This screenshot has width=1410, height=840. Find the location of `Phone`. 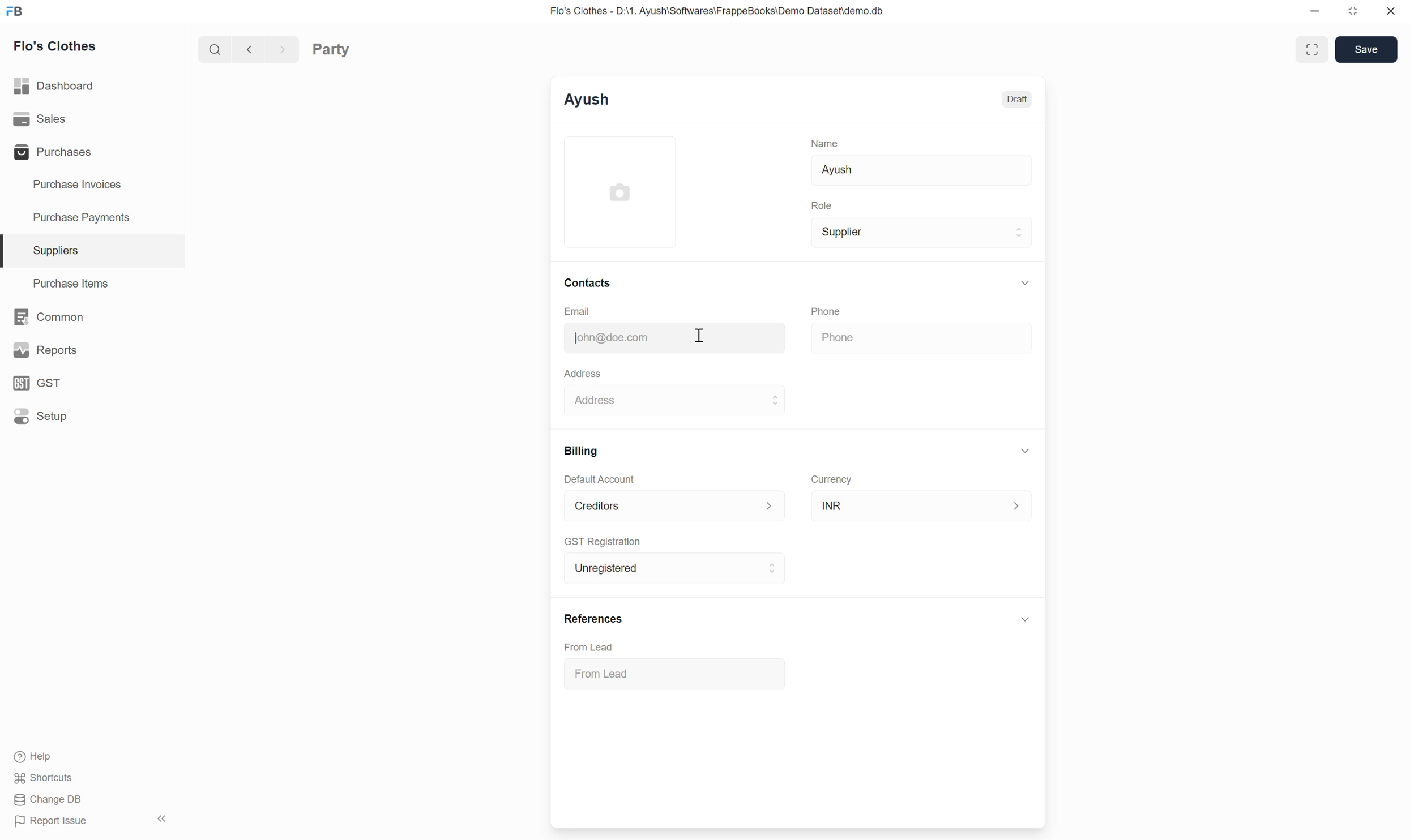

Phone is located at coordinates (826, 311).